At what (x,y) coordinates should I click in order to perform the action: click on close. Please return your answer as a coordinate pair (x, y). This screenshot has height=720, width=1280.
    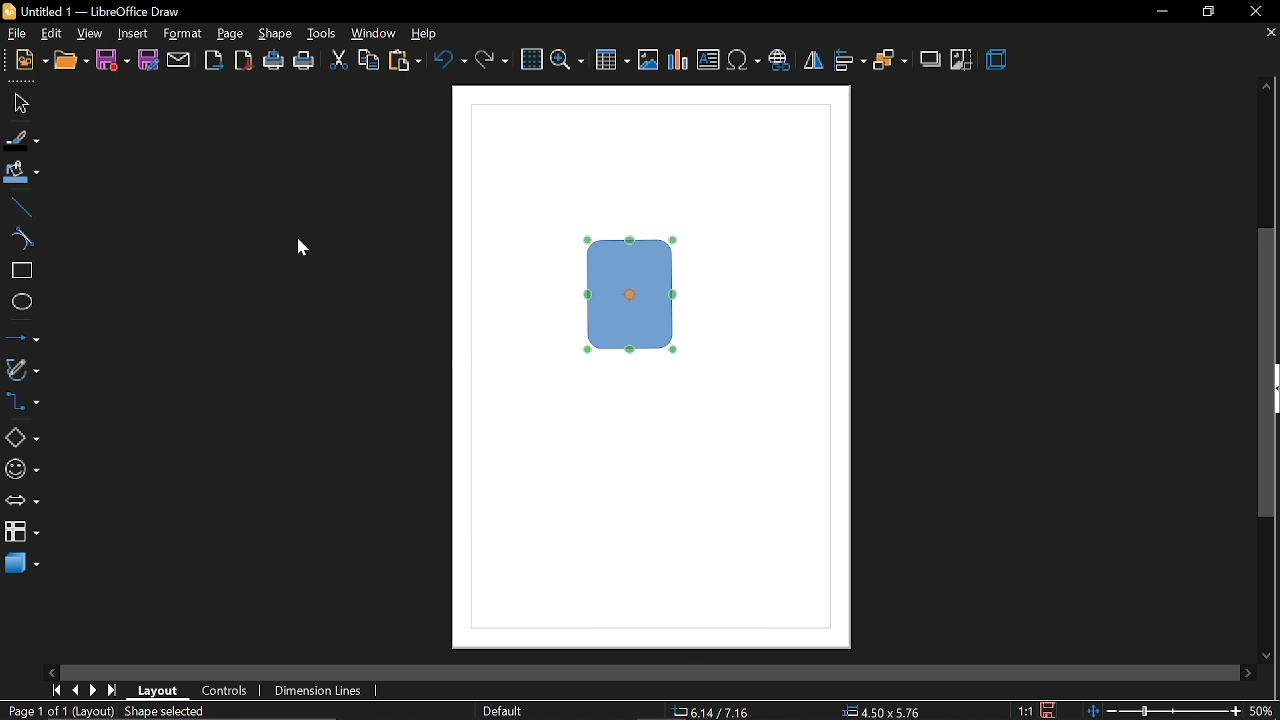
    Looking at the image, I should click on (1256, 11).